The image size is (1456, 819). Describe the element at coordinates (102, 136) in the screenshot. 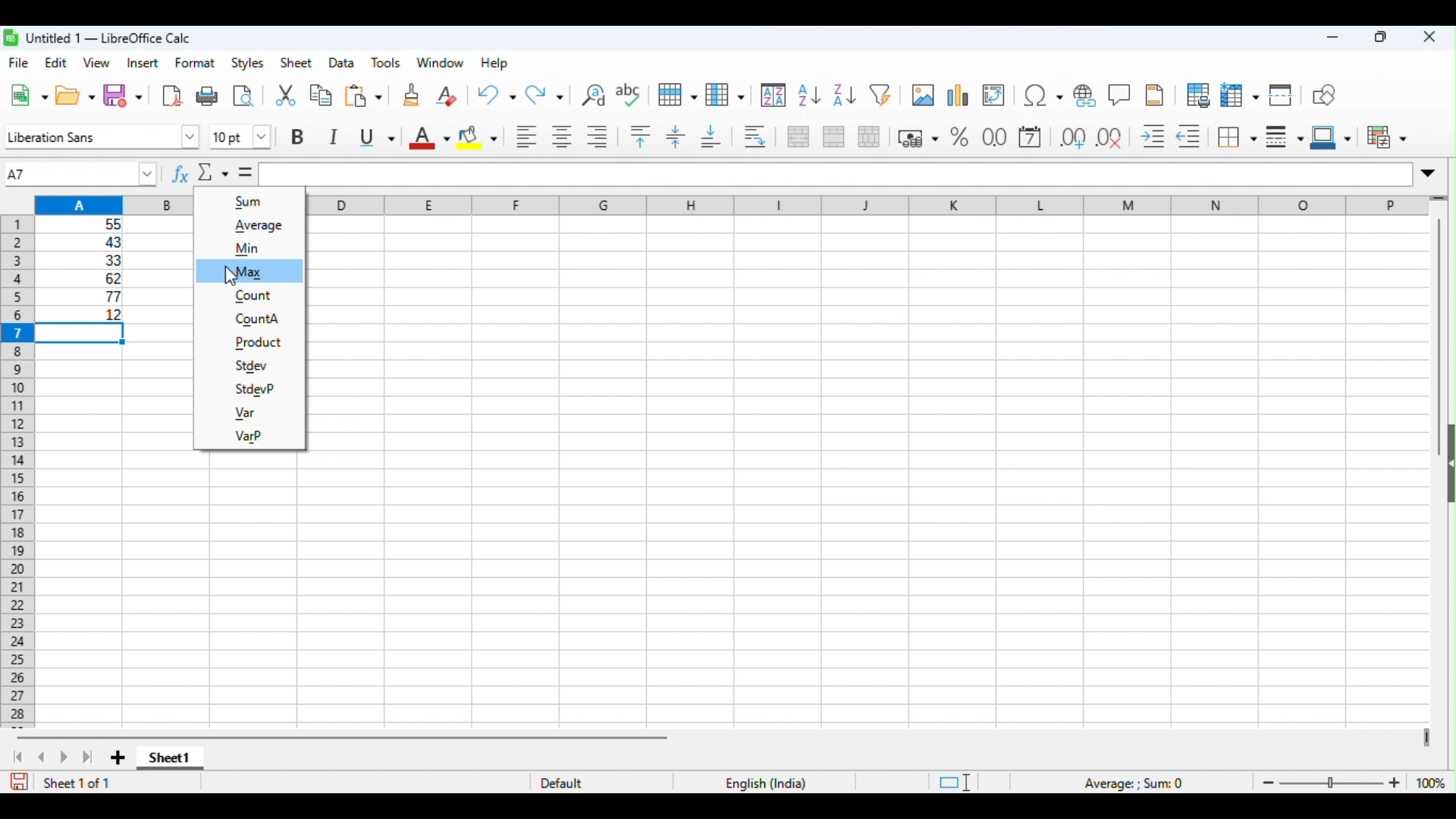

I see `font style` at that location.